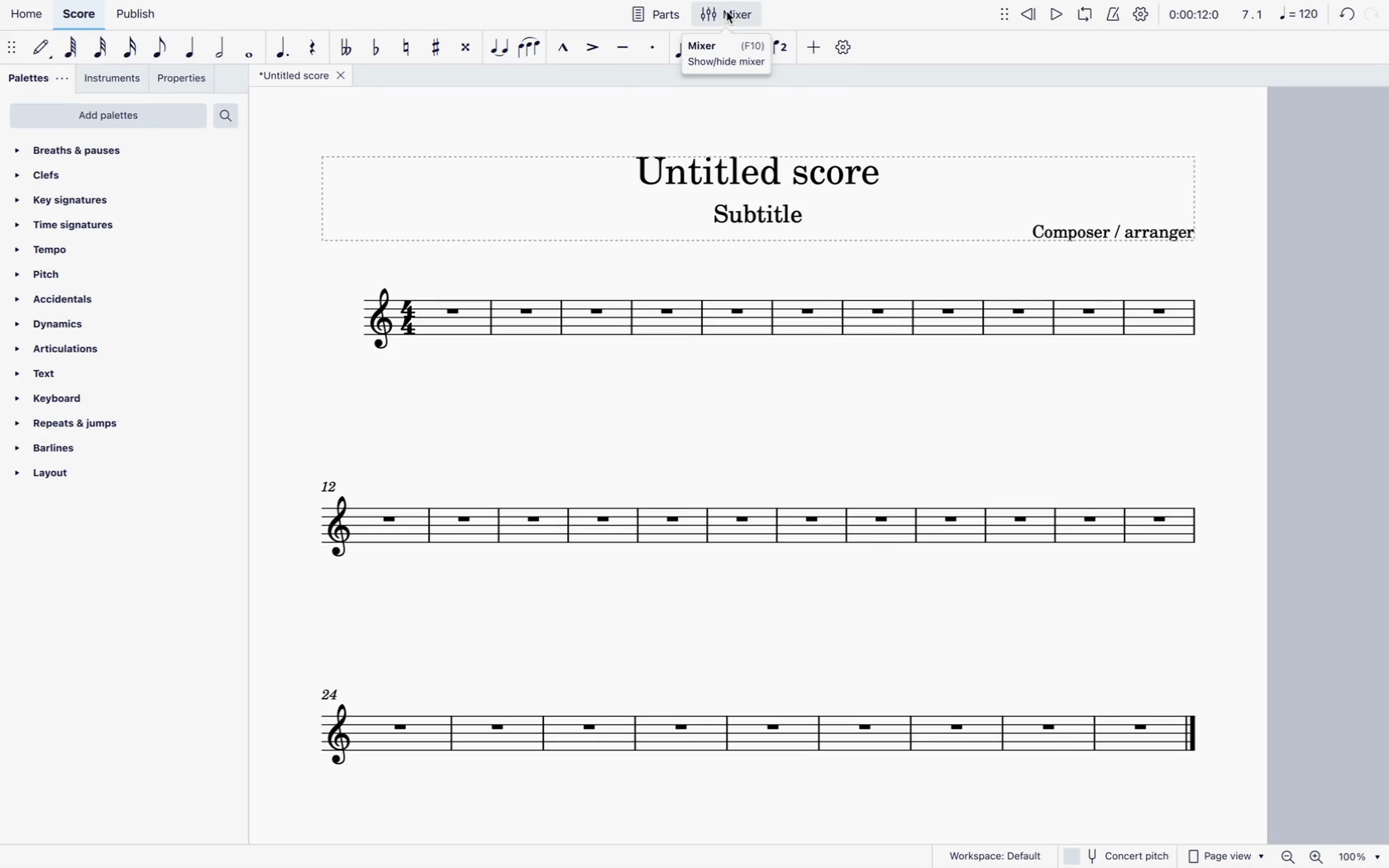  What do you see at coordinates (80, 15) in the screenshot?
I see `score` at bounding box center [80, 15].